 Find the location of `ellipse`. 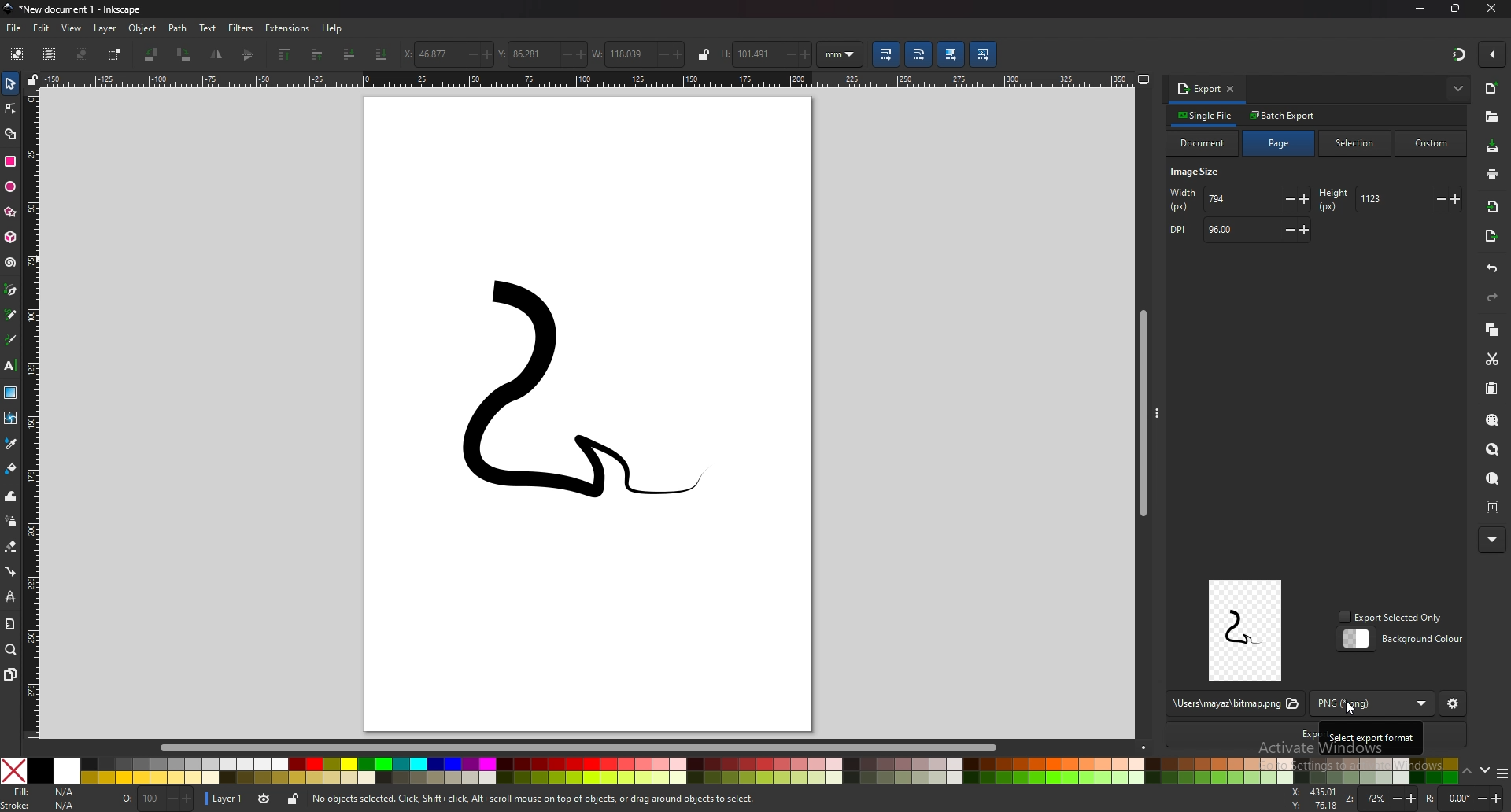

ellipse is located at coordinates (10, 187).